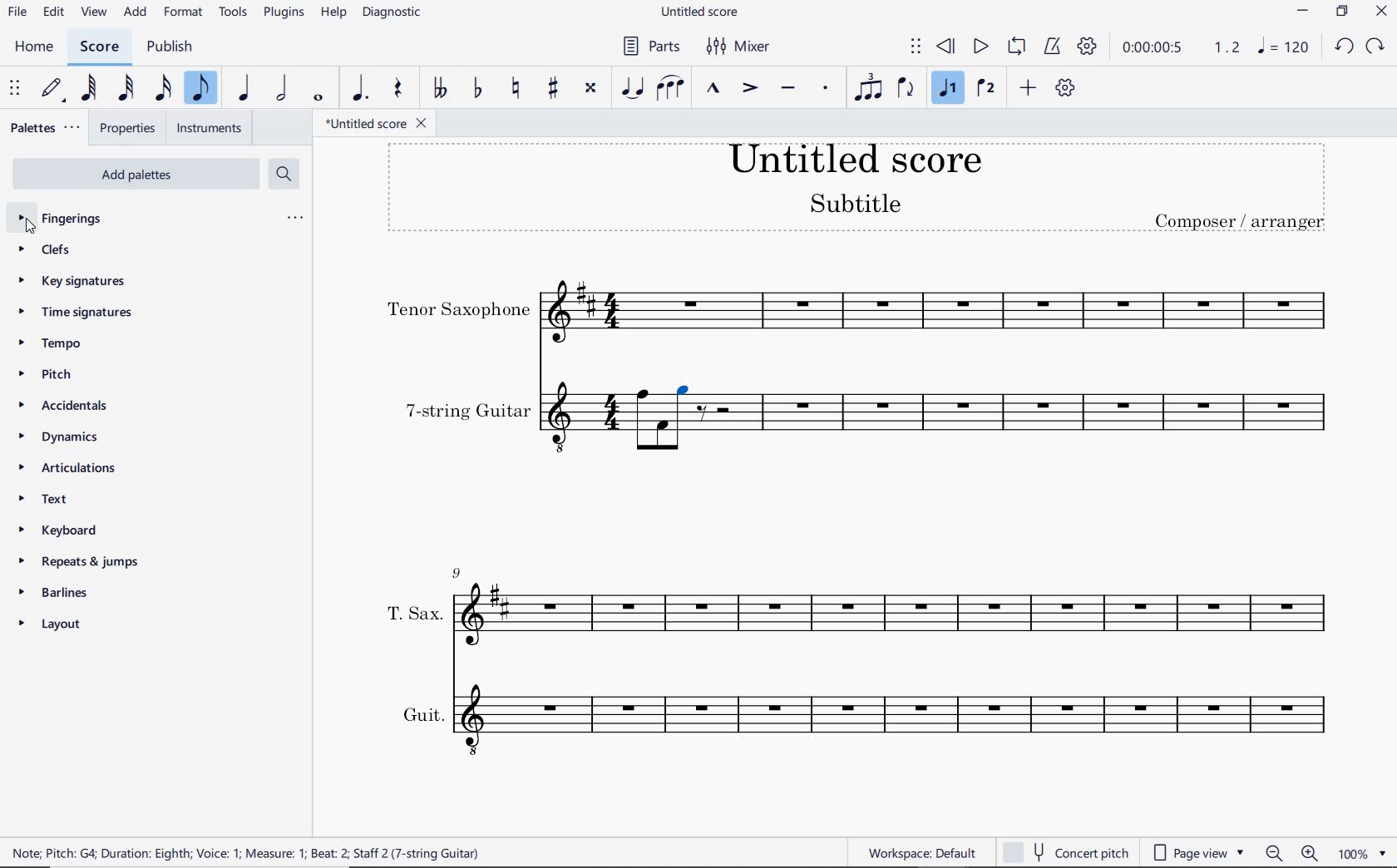 Image resolution: width=1397 pixels, height=868 pixels. What do you see at coordinates (124, 89) in the screenshot?
I see `32ND NOTE` at bounding box center [124, 89].